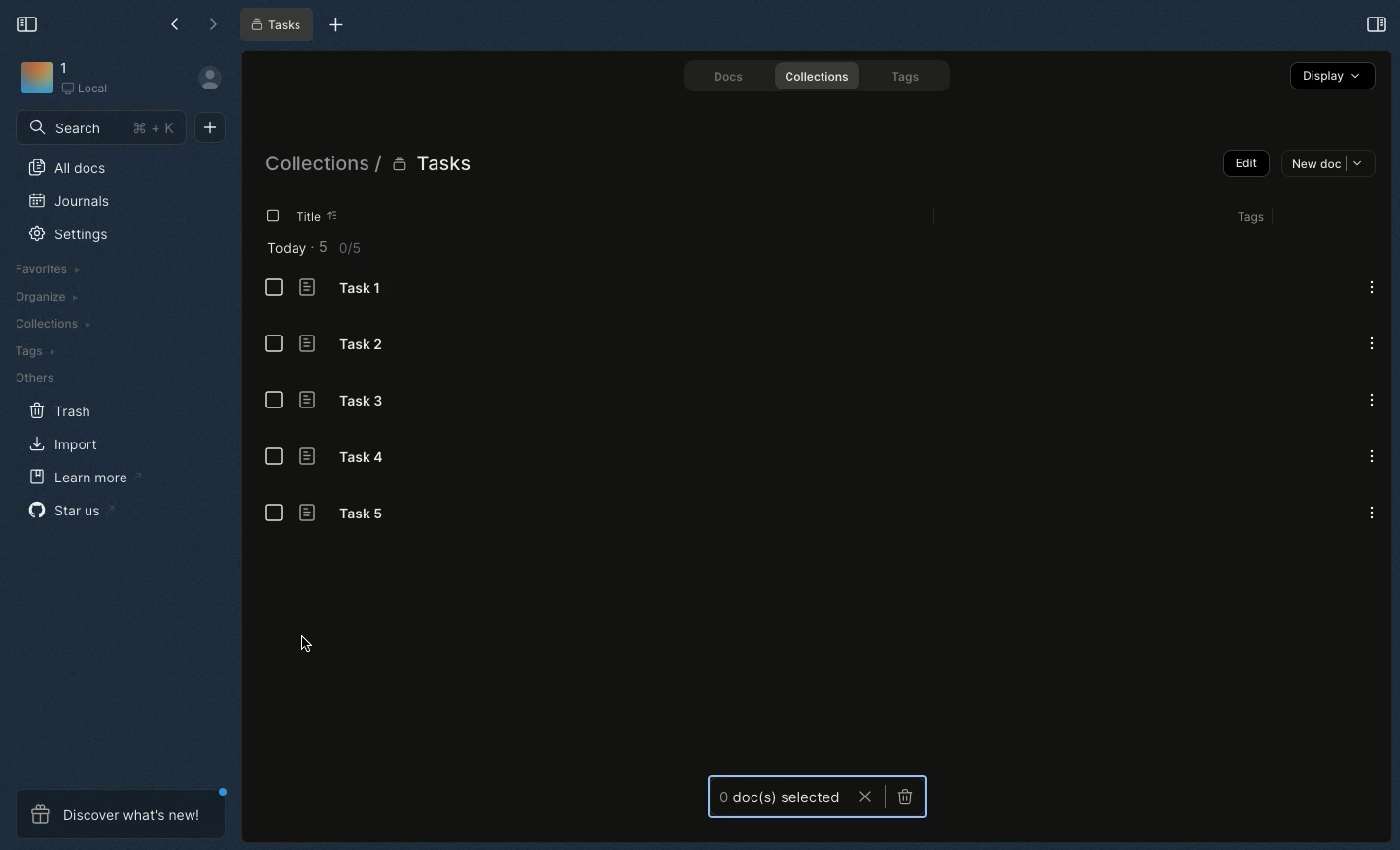  Describe the element at coordinates (355, 290) in the screenshot. I see `Task 1` at that location.